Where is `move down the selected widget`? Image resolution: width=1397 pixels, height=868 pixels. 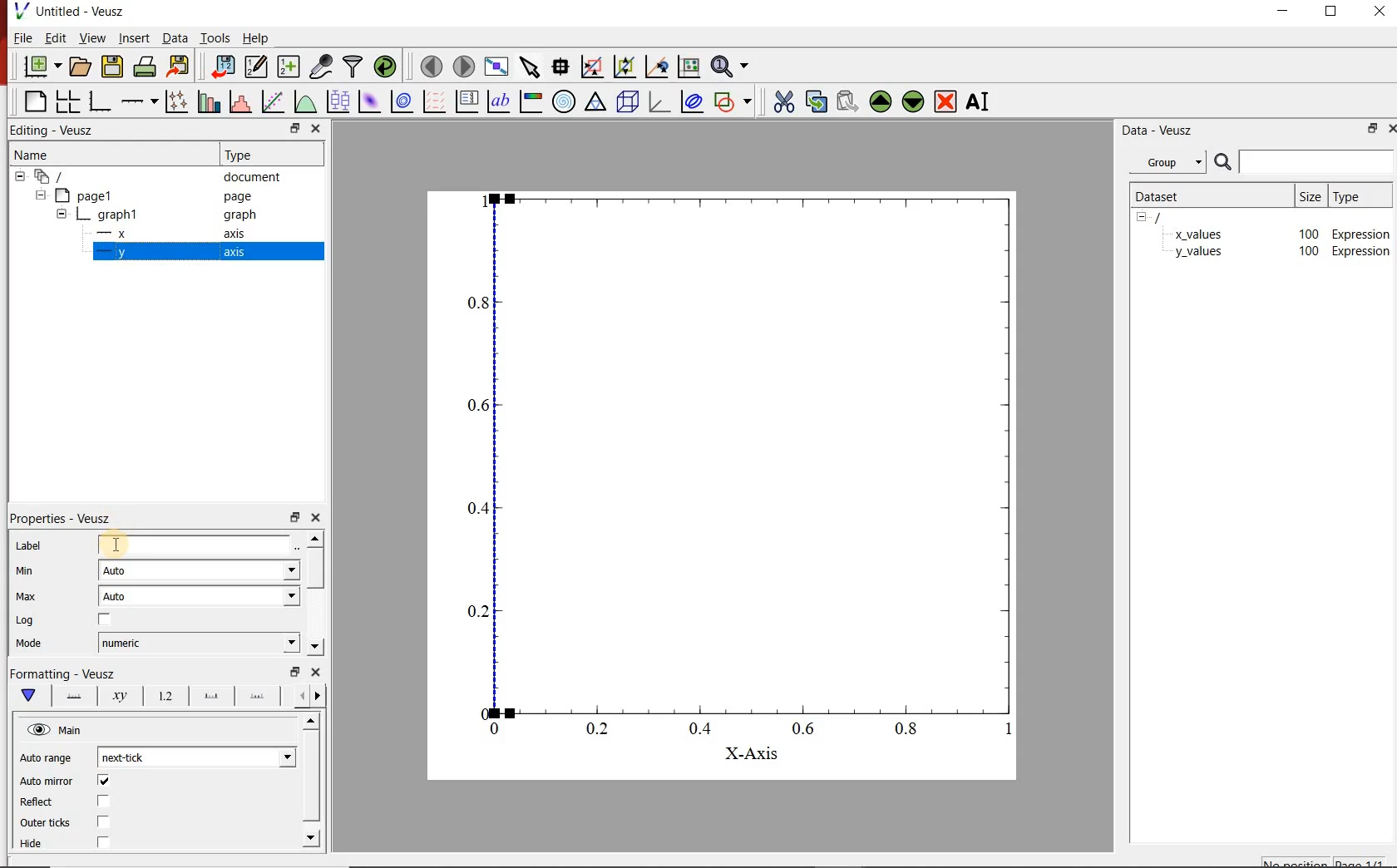 move down the selected widget is located at coordinates (913, 104).